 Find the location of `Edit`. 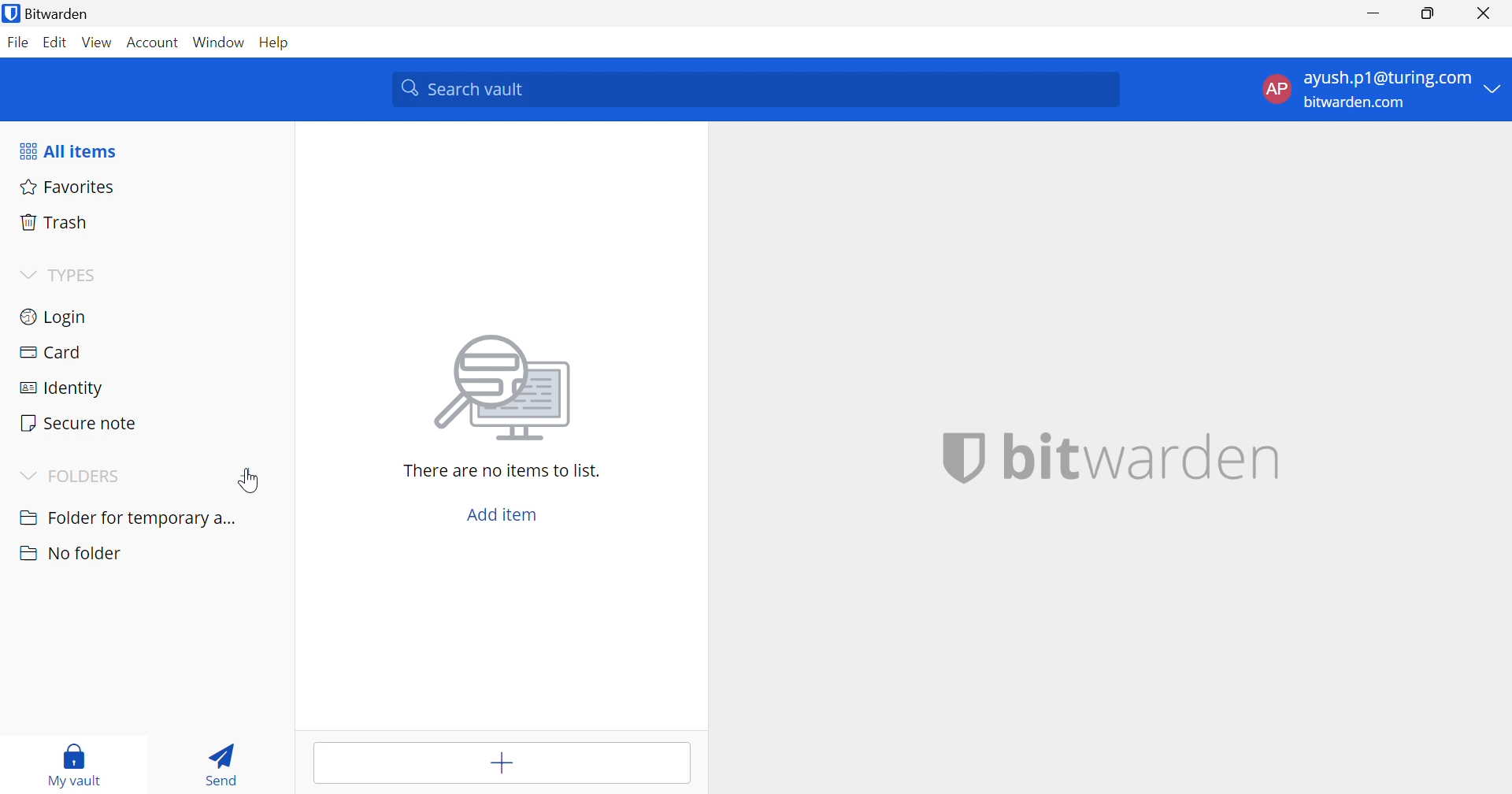

Edit is located at coordinates (58, 43).